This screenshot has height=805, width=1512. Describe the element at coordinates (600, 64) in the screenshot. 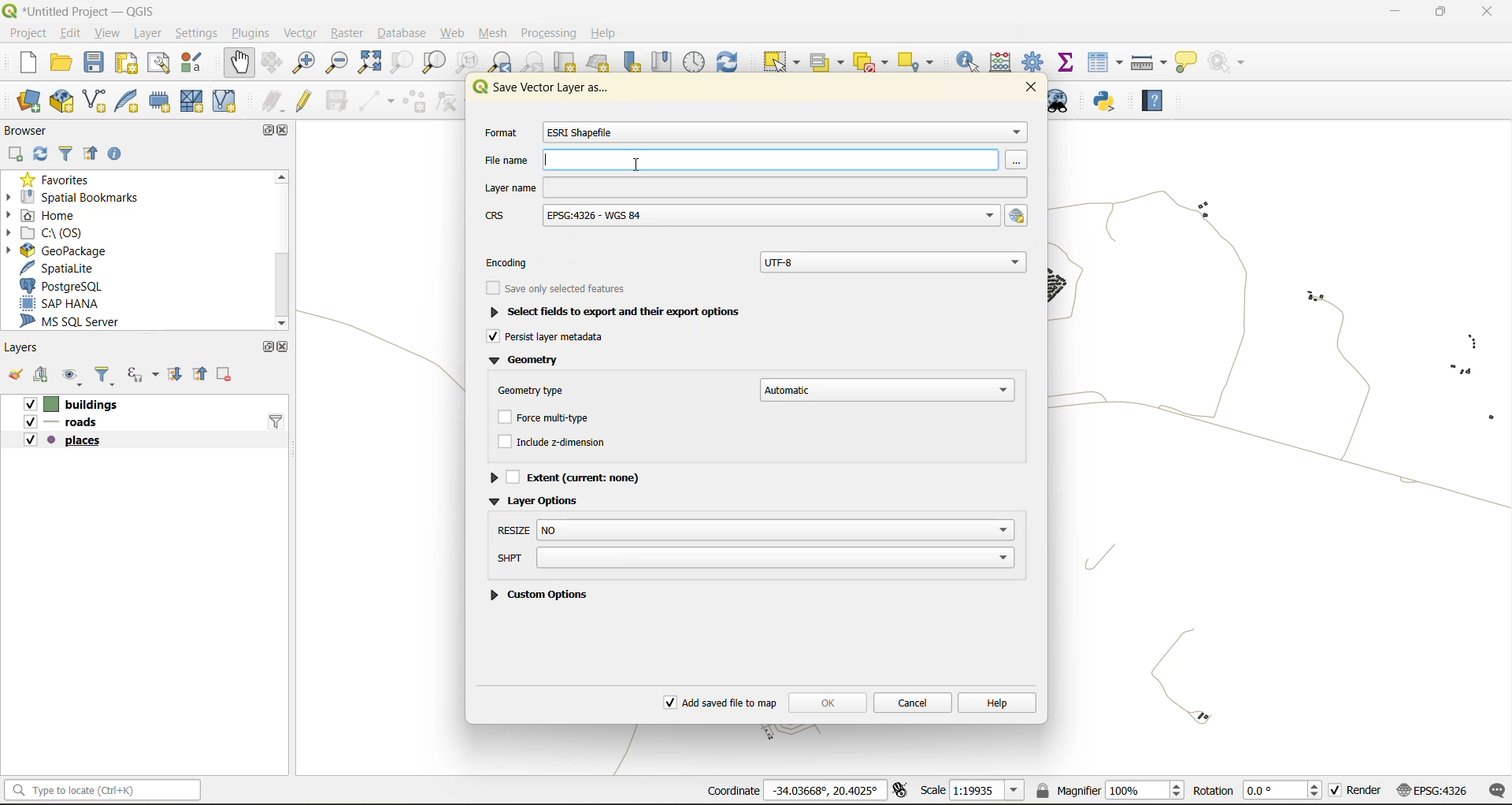

I see `new 3d map view` at that location.